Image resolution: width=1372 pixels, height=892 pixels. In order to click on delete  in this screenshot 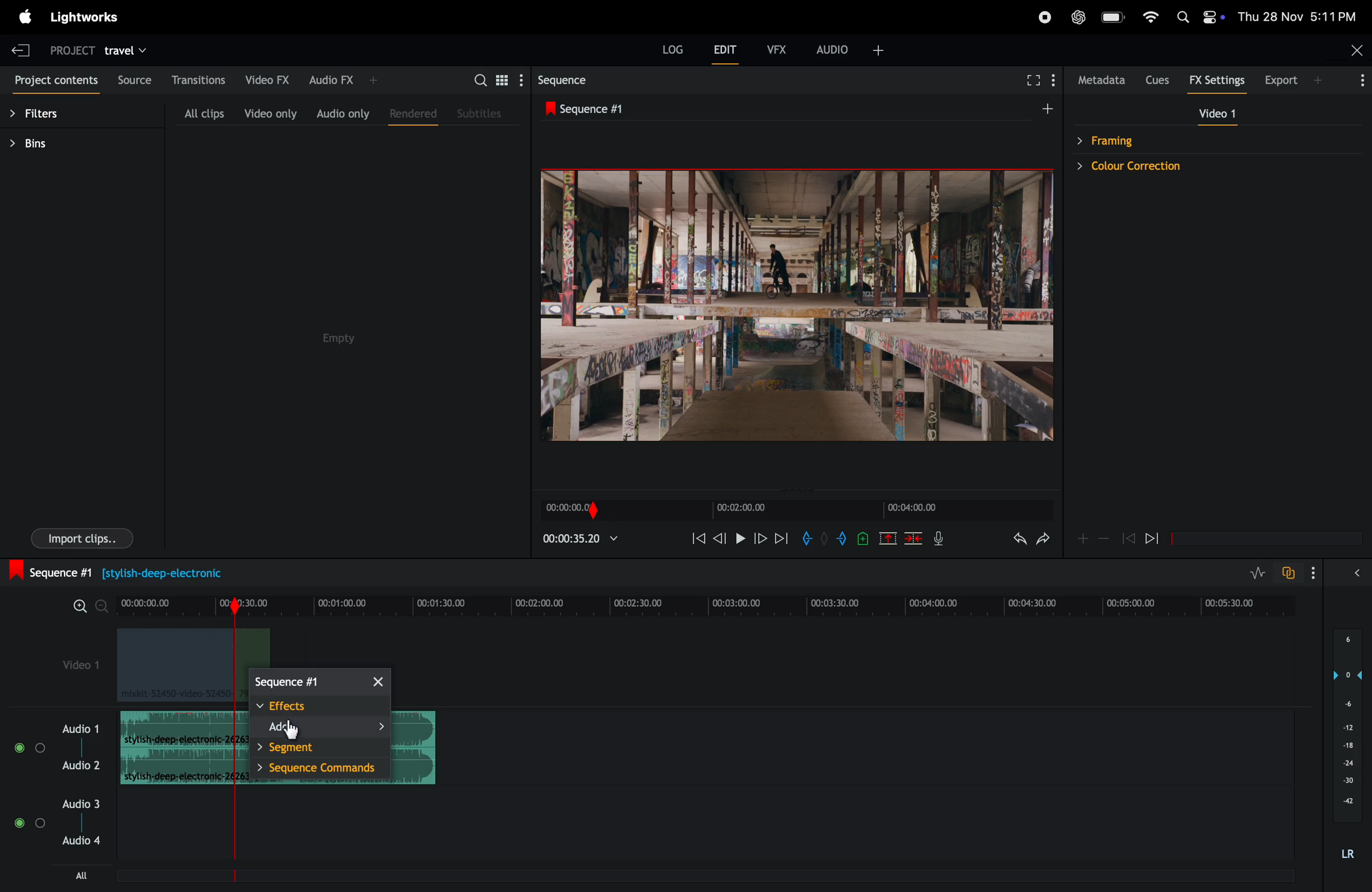, I will do `click(914, 541)`.